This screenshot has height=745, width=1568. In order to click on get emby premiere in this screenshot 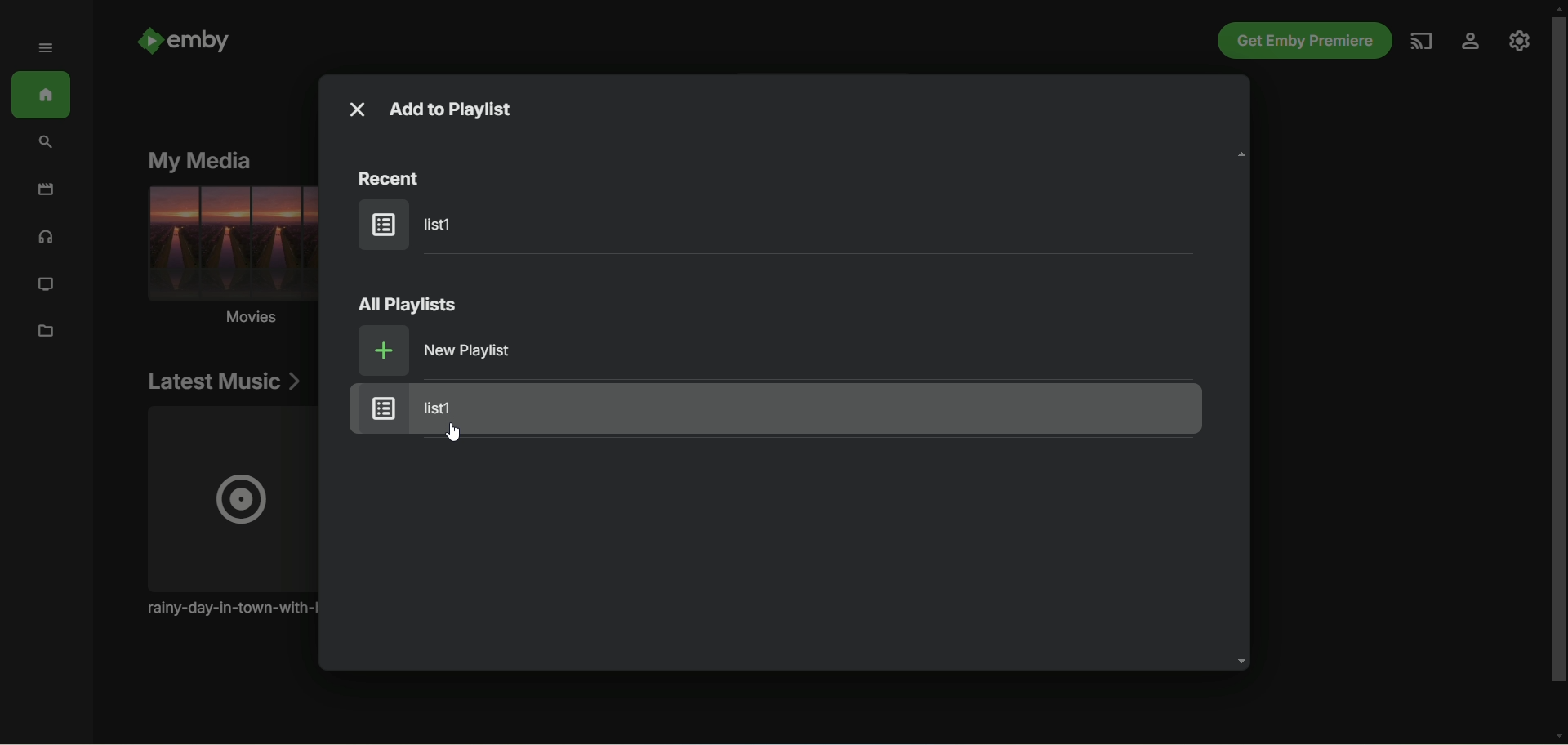, I will do `click(1305, 40)`.